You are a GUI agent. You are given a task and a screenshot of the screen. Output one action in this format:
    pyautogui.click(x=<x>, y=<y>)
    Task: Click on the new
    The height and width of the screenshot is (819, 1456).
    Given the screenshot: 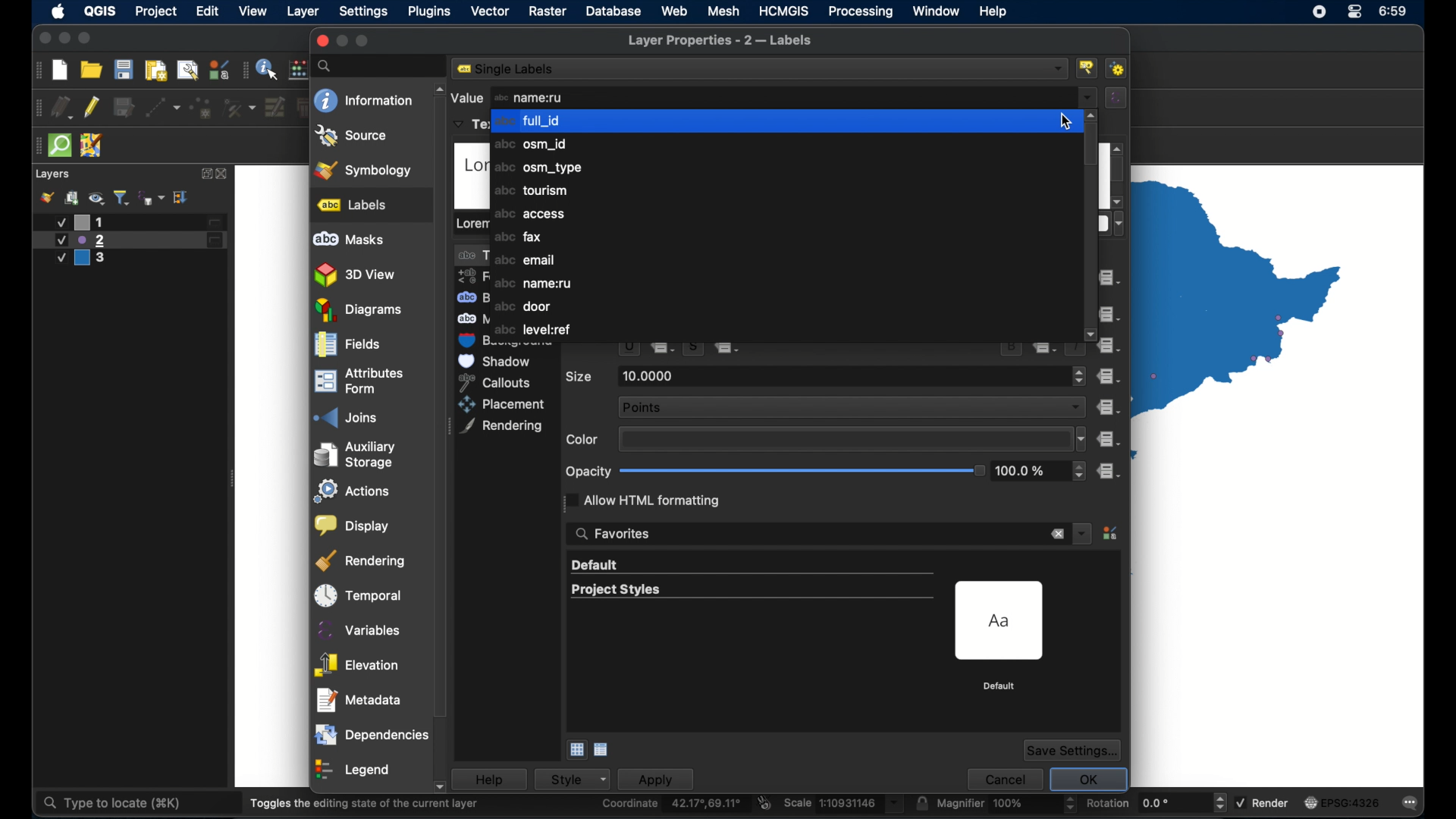 What is the action you would take?
    pyautogui.click(x=59, y=71)
    